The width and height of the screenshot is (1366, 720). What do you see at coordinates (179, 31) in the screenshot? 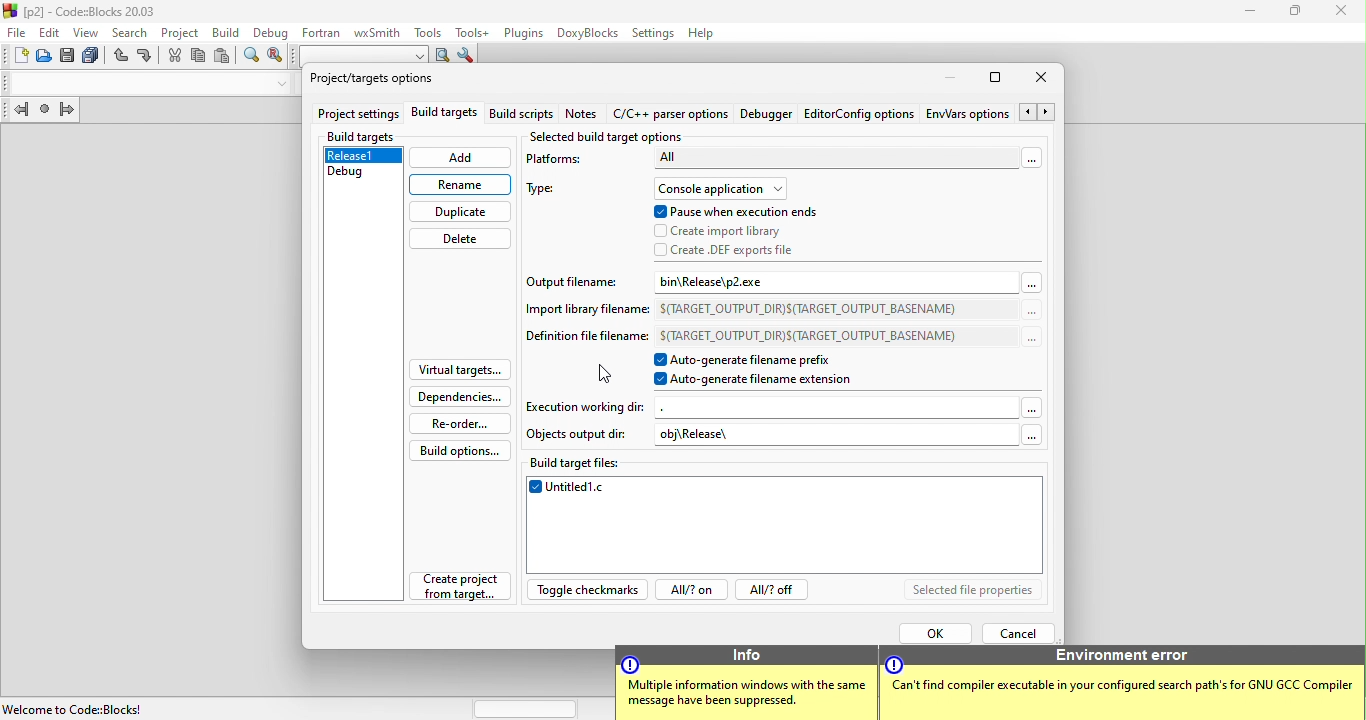
I see `project` at bounding box center [179, 31].